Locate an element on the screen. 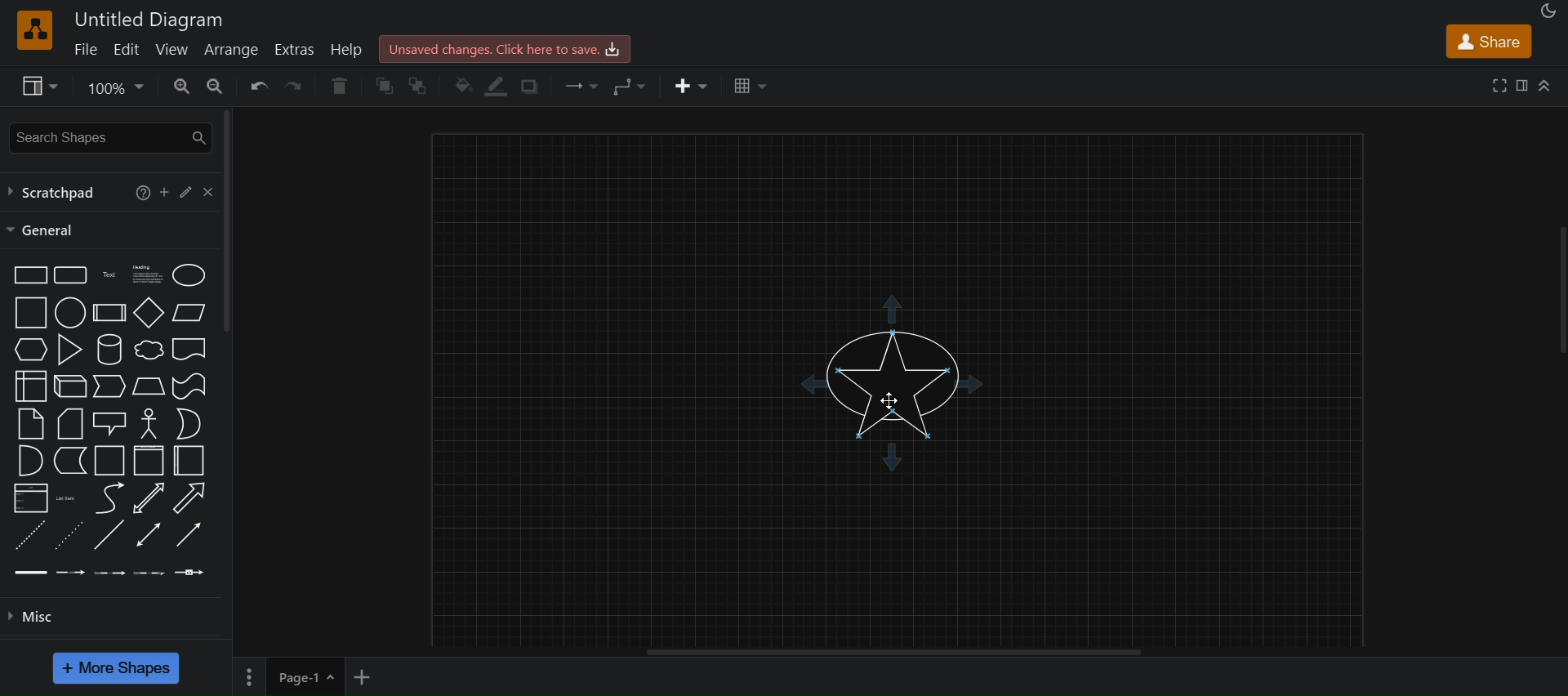 The image size is (1568, 696). vertical scroll bar is located at coordinates (225, 225).